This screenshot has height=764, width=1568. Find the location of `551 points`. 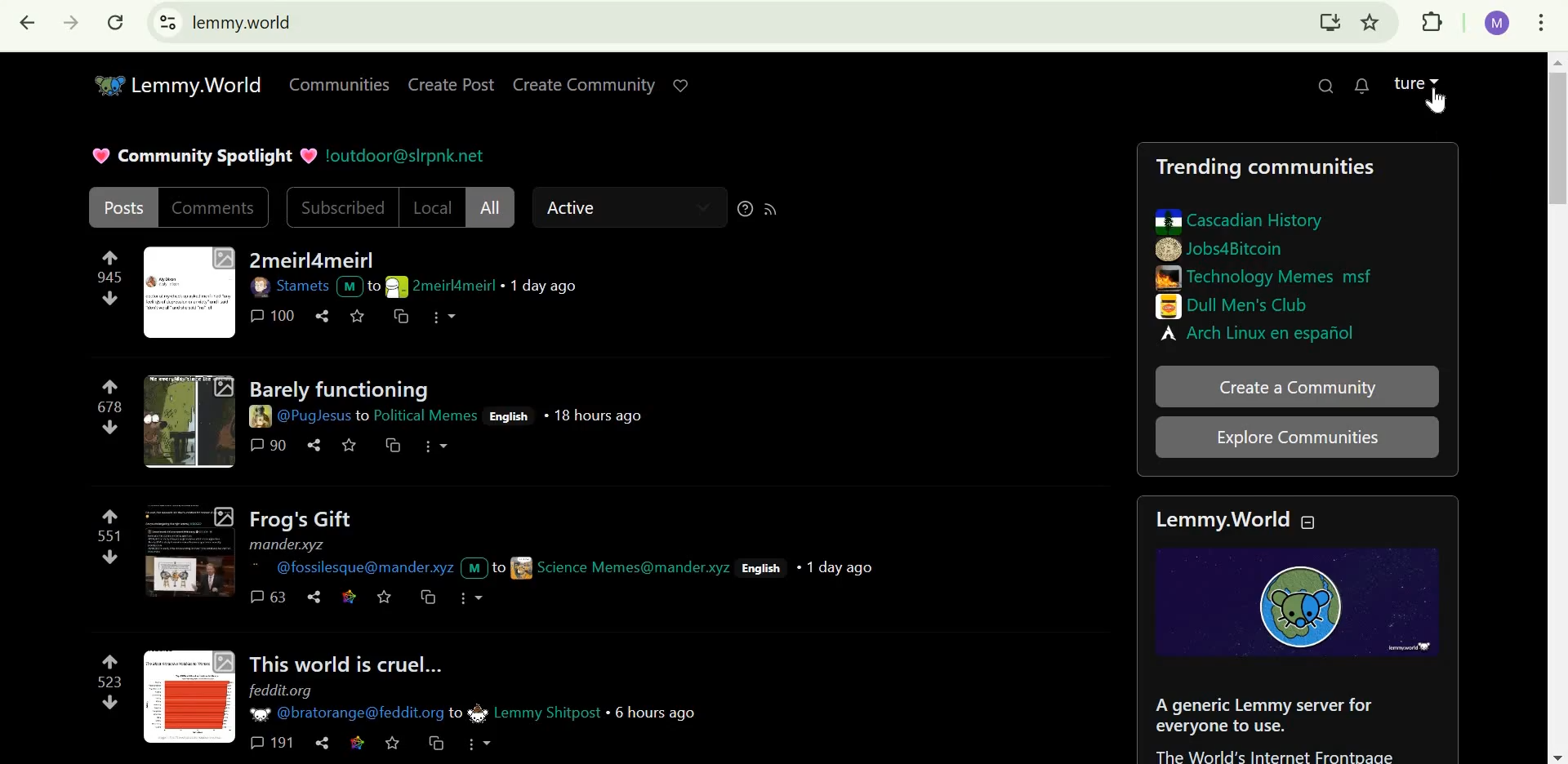

551 points is located at coordinates (106, 536).